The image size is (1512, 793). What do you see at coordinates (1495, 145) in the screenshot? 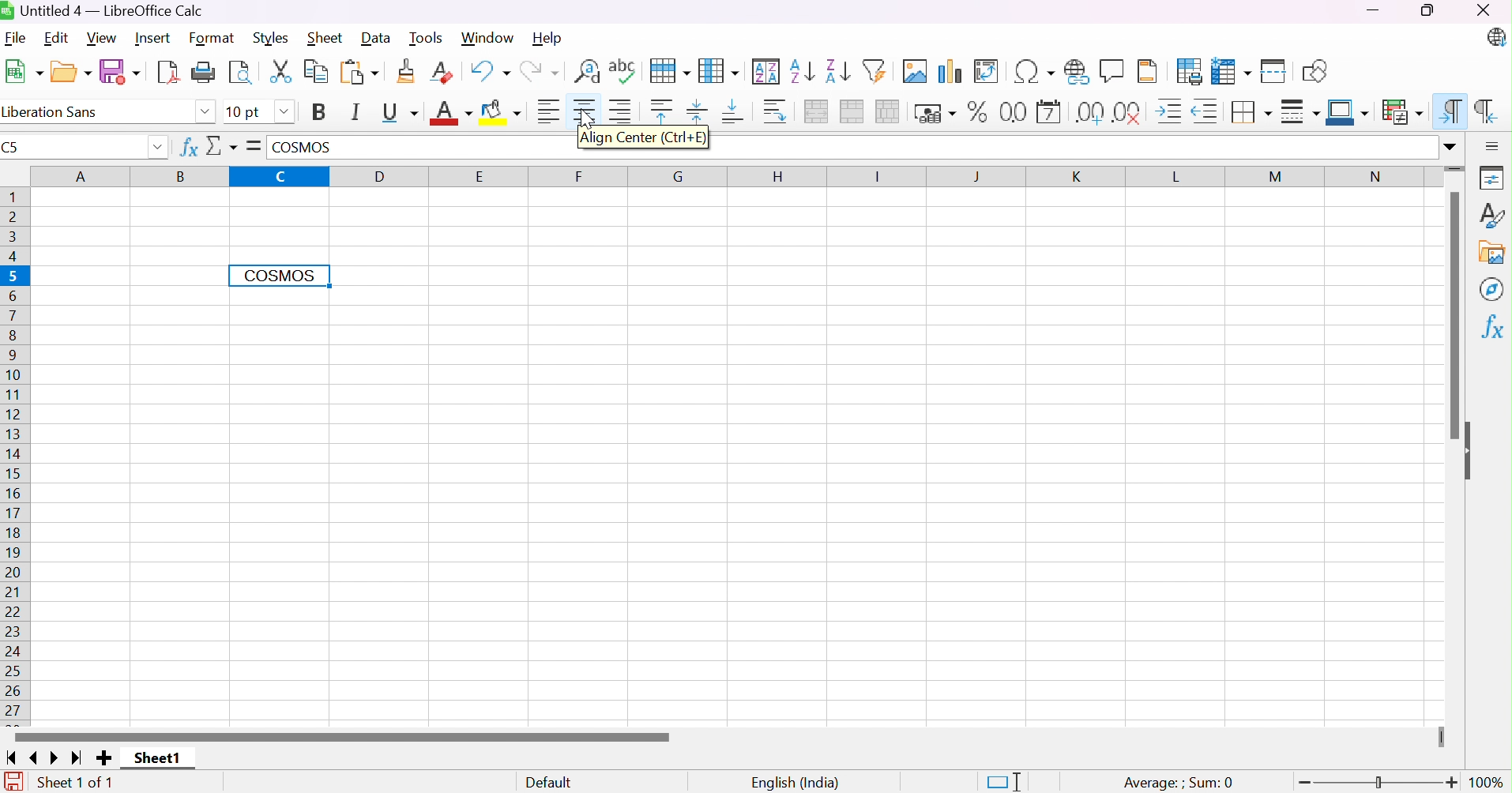
I see `Sidebar Settings` at bounding box center [1495, 145].